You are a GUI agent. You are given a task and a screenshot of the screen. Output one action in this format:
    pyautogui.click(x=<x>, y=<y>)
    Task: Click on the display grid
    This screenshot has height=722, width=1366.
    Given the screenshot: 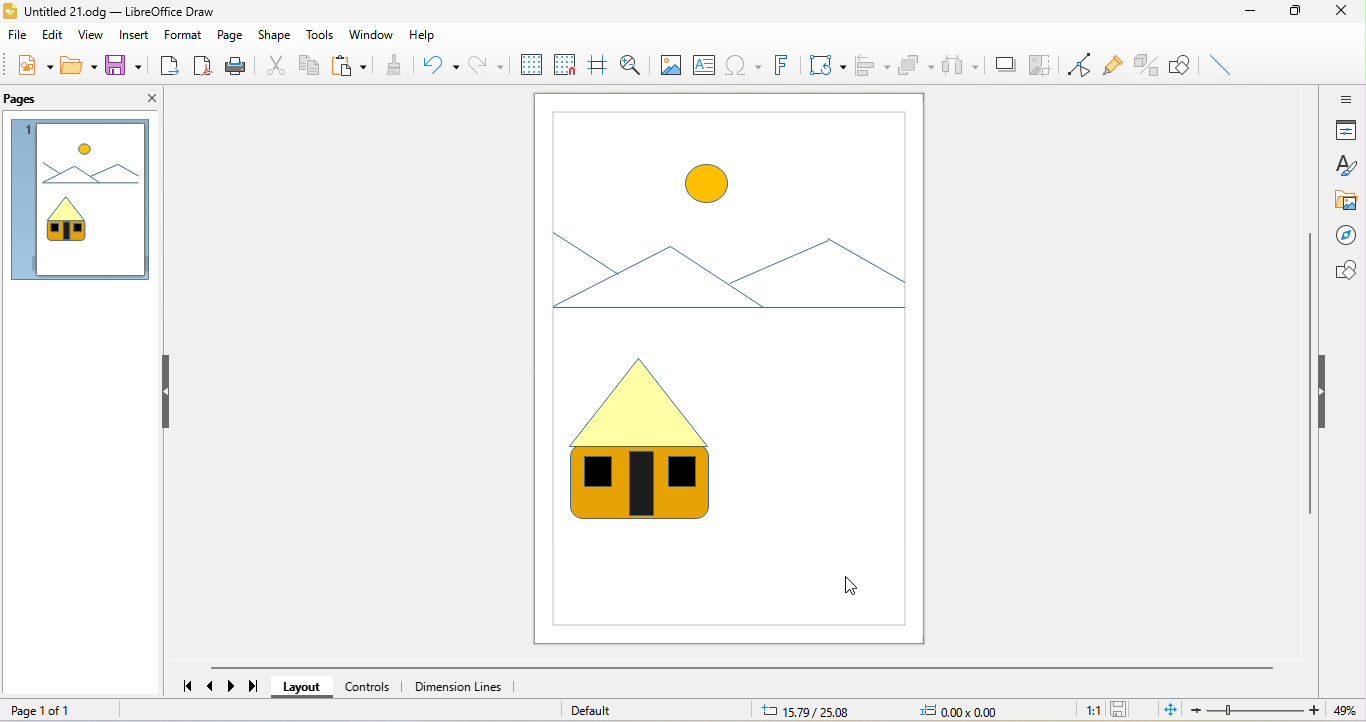 What is the action you would take?
    pyautogui.click(x=529, y=65)
    